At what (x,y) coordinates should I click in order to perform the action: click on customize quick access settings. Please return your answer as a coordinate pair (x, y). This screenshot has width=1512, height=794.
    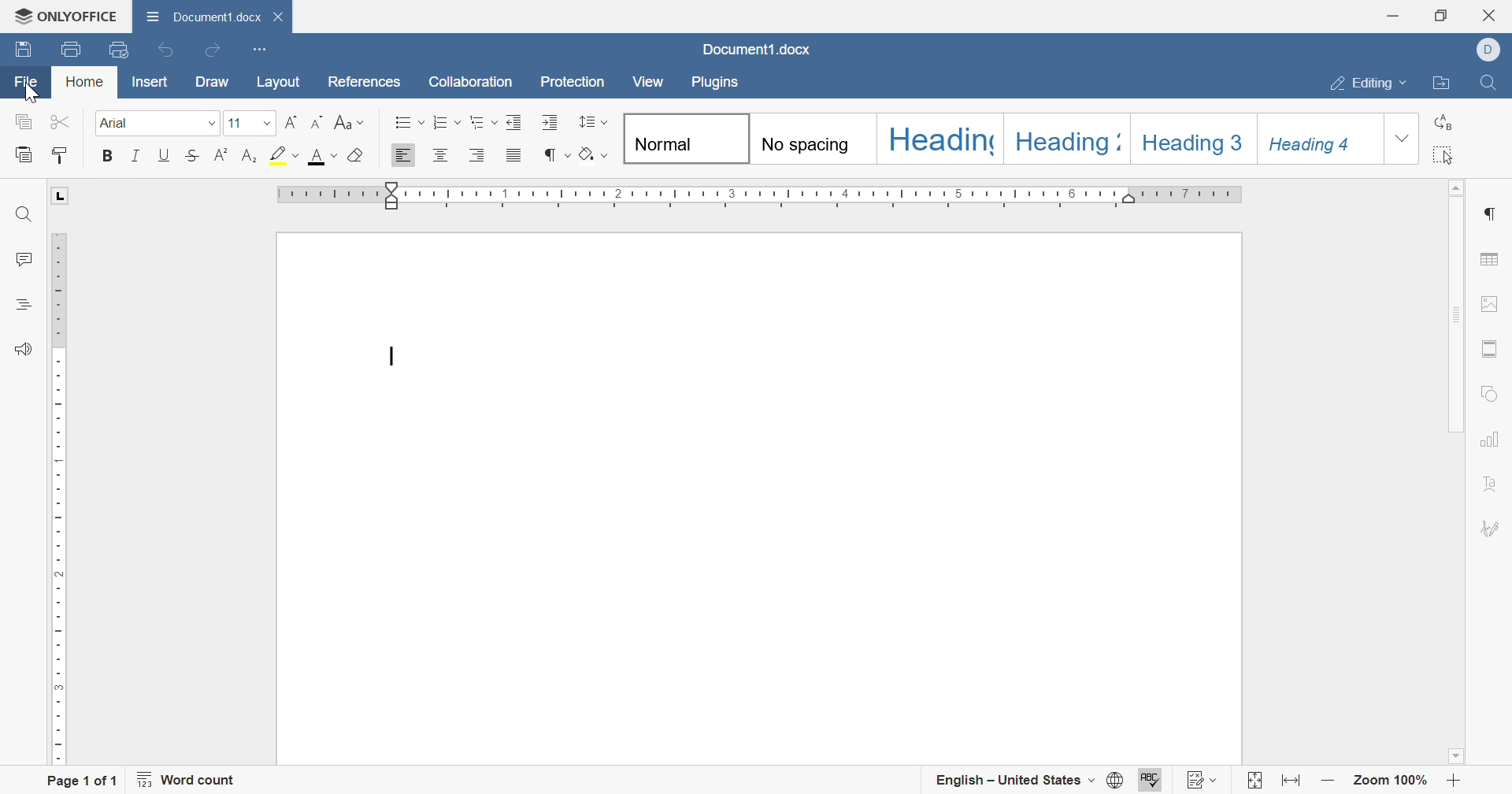
    Looking at the image, I should click on (262, 49).